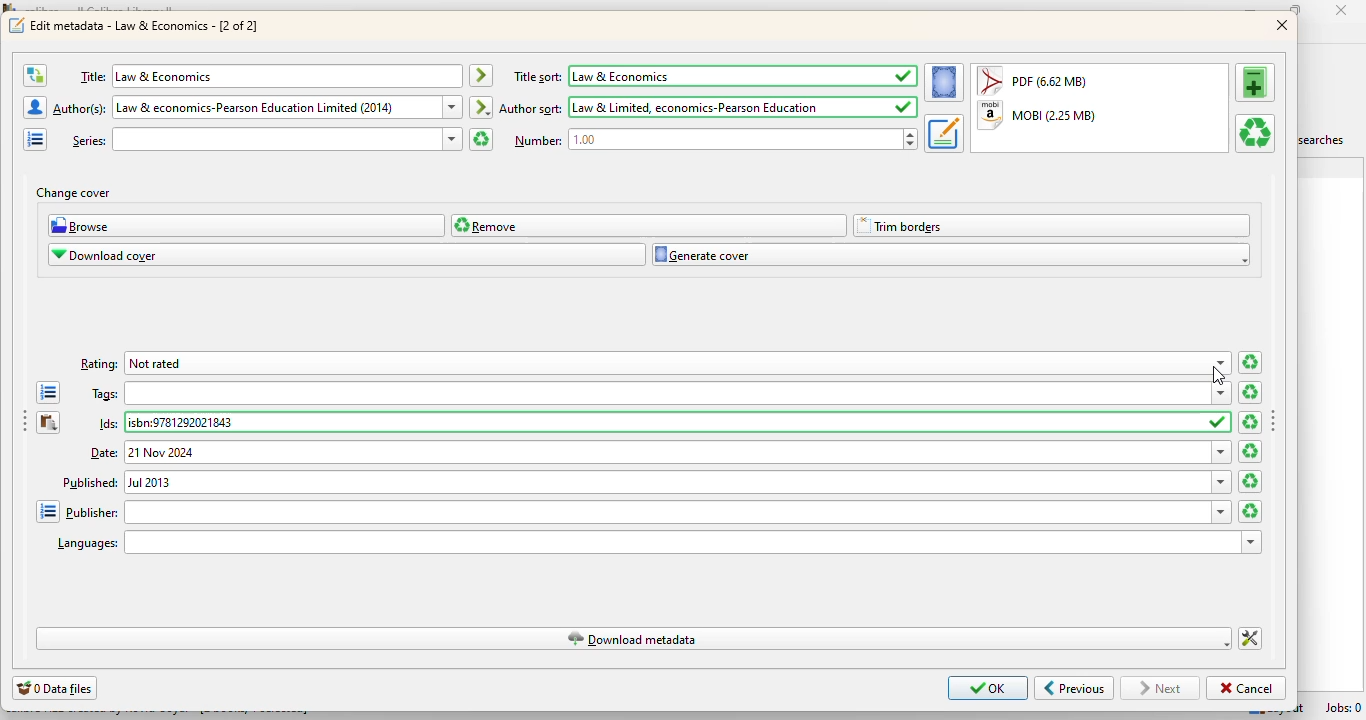 The width and height of the screenshot is (1366, 720). Describe the element at coordinates (35, 107) in the screenshot. I see `open the manage authors editor` at that location.